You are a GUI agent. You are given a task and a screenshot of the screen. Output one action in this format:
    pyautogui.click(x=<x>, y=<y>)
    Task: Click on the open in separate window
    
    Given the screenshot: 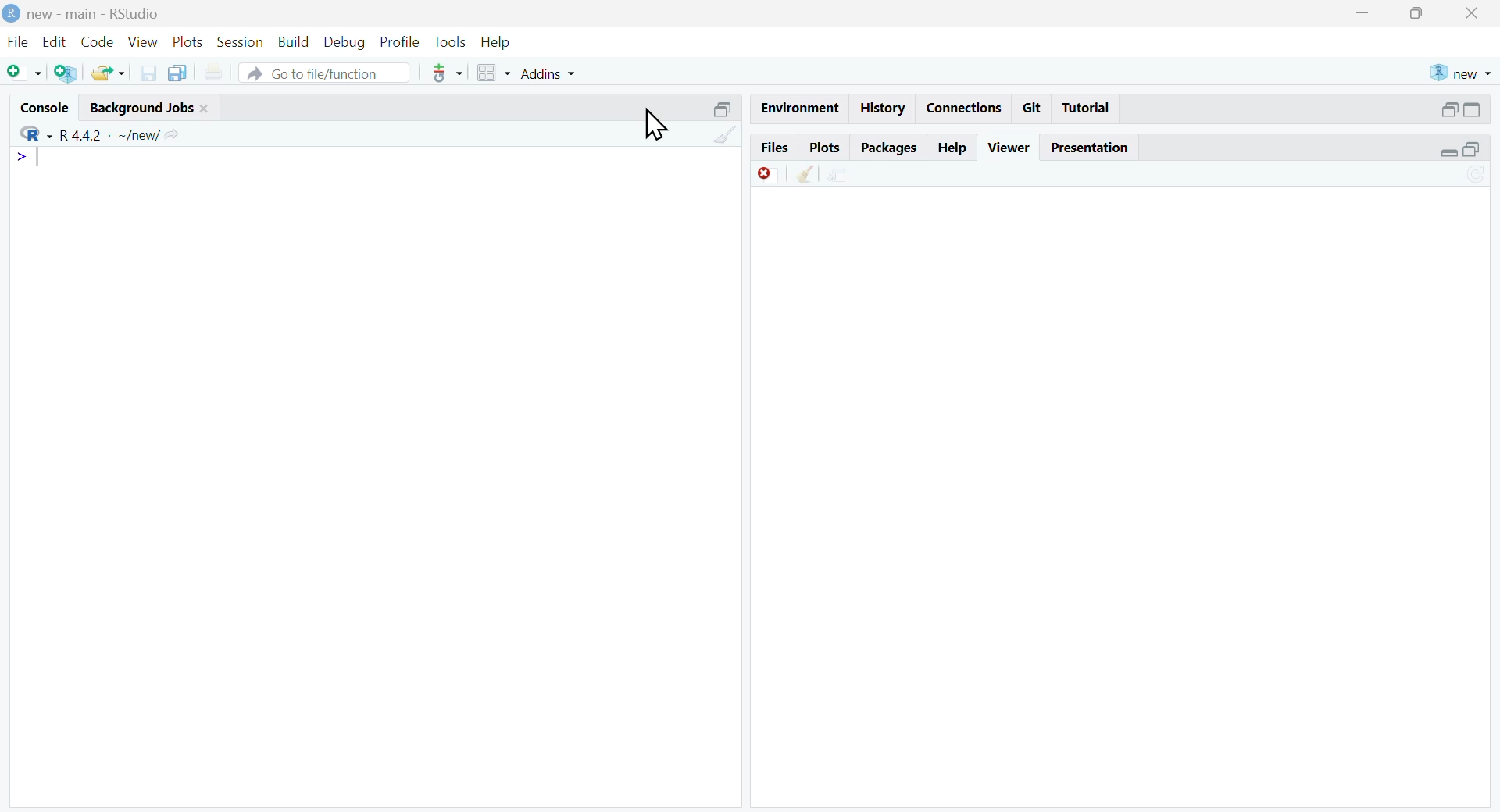 What is the action you would take?
    pyautogui.click(x=1471, y=149)
    